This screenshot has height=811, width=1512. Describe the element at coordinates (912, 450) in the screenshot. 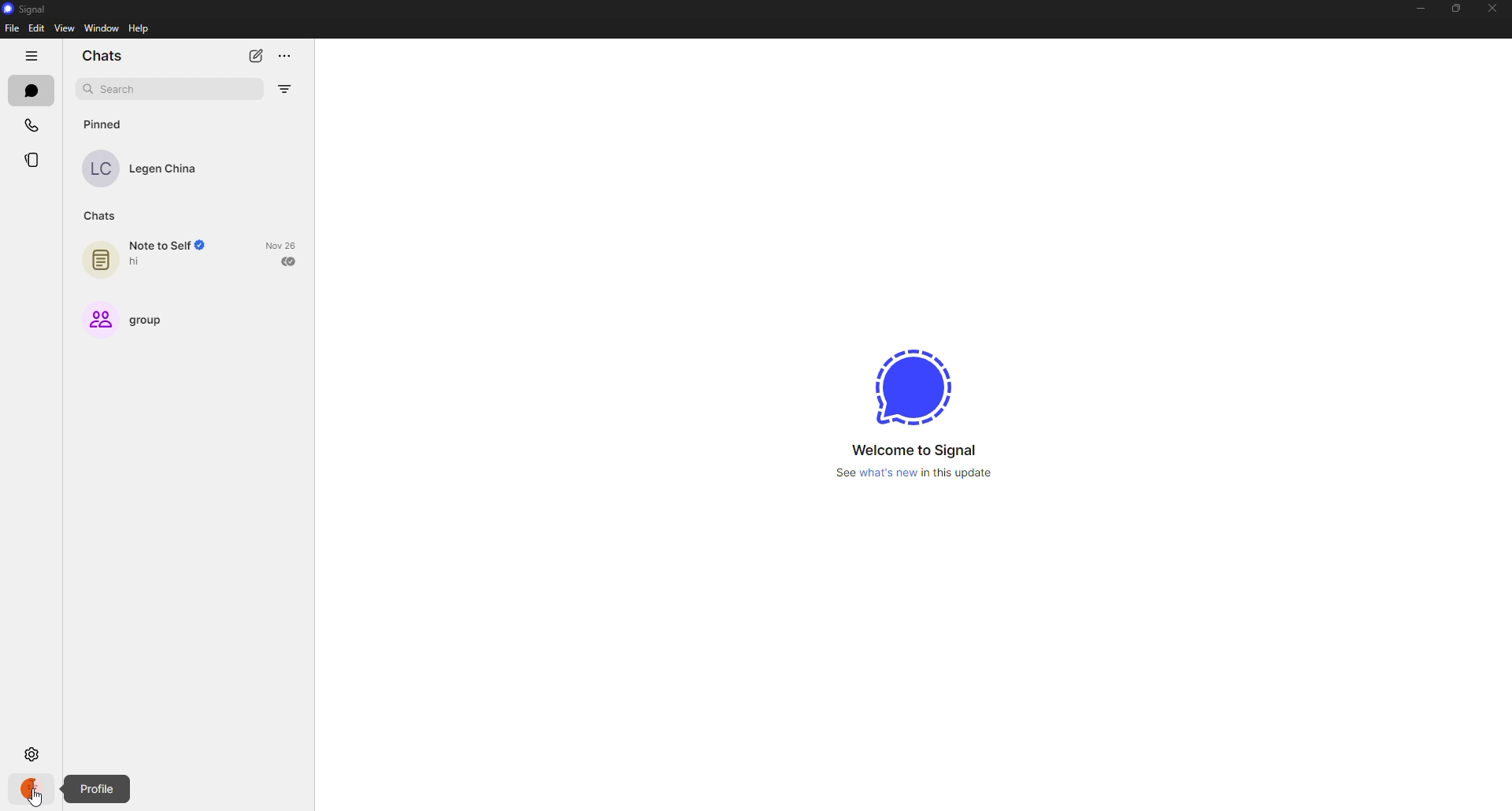

I see `welcome` at that location.